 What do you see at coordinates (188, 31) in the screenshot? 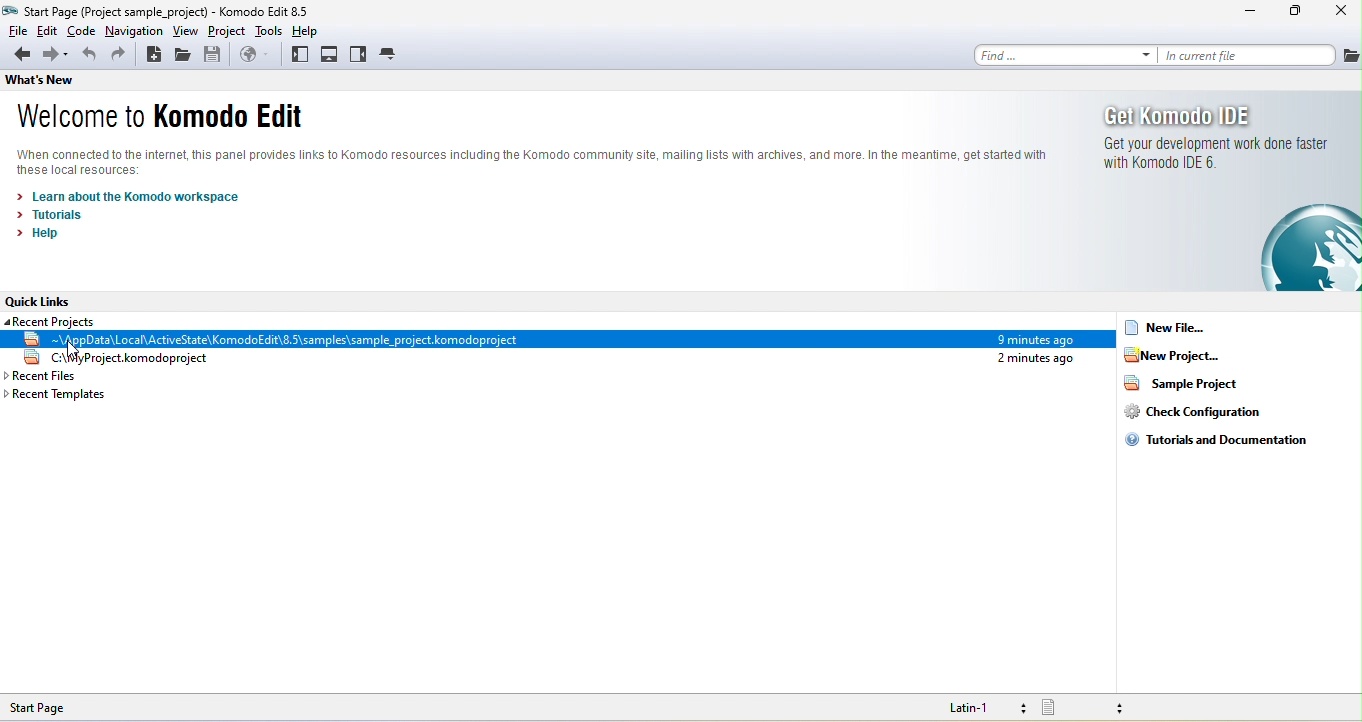
I see `view` at bounding box center [188, 31].